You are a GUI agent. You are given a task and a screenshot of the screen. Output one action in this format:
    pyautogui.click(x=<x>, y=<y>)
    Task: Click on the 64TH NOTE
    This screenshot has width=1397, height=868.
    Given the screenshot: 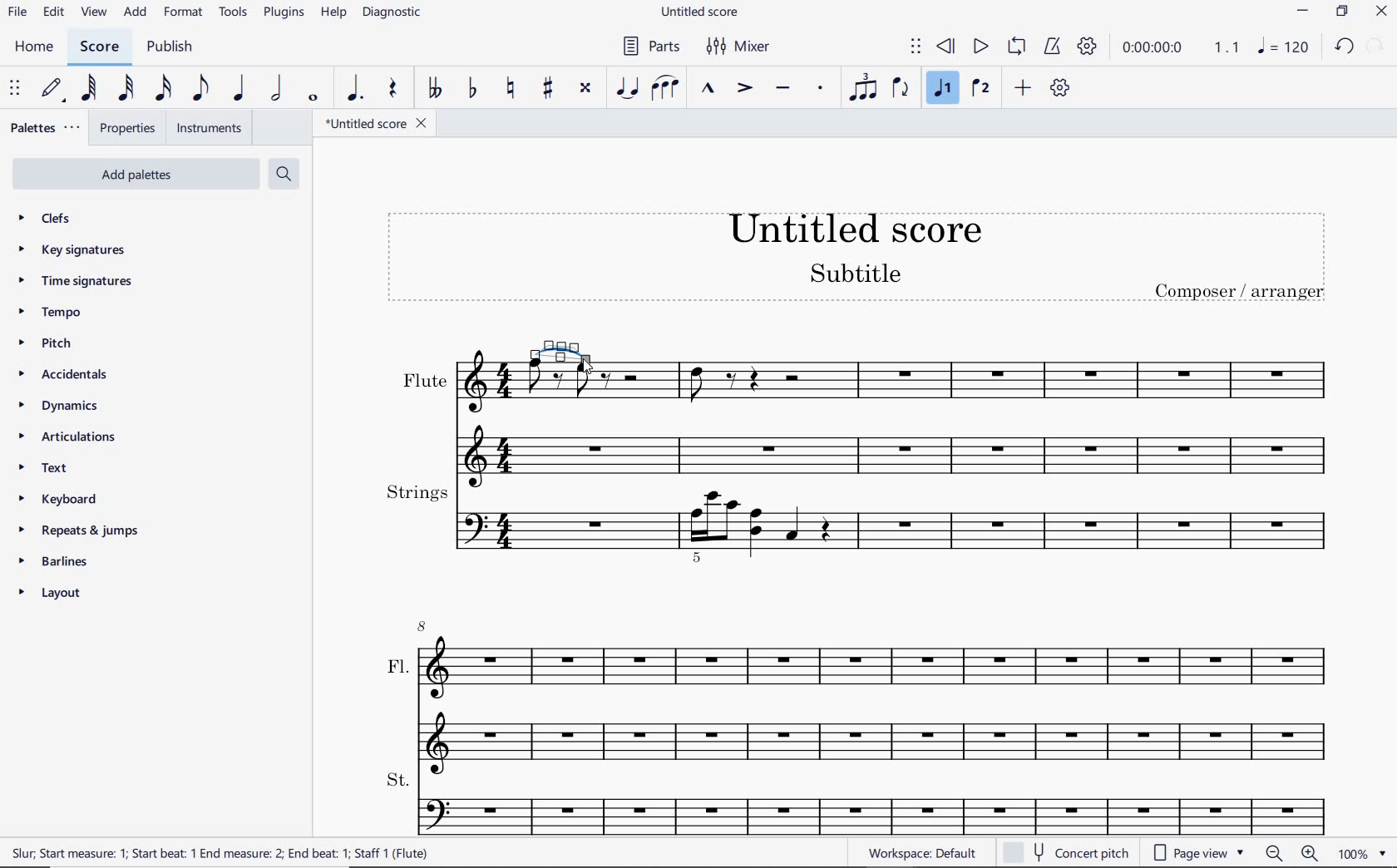 What is the action you would take?
    pyautogui.click(x=90, y=88)
    